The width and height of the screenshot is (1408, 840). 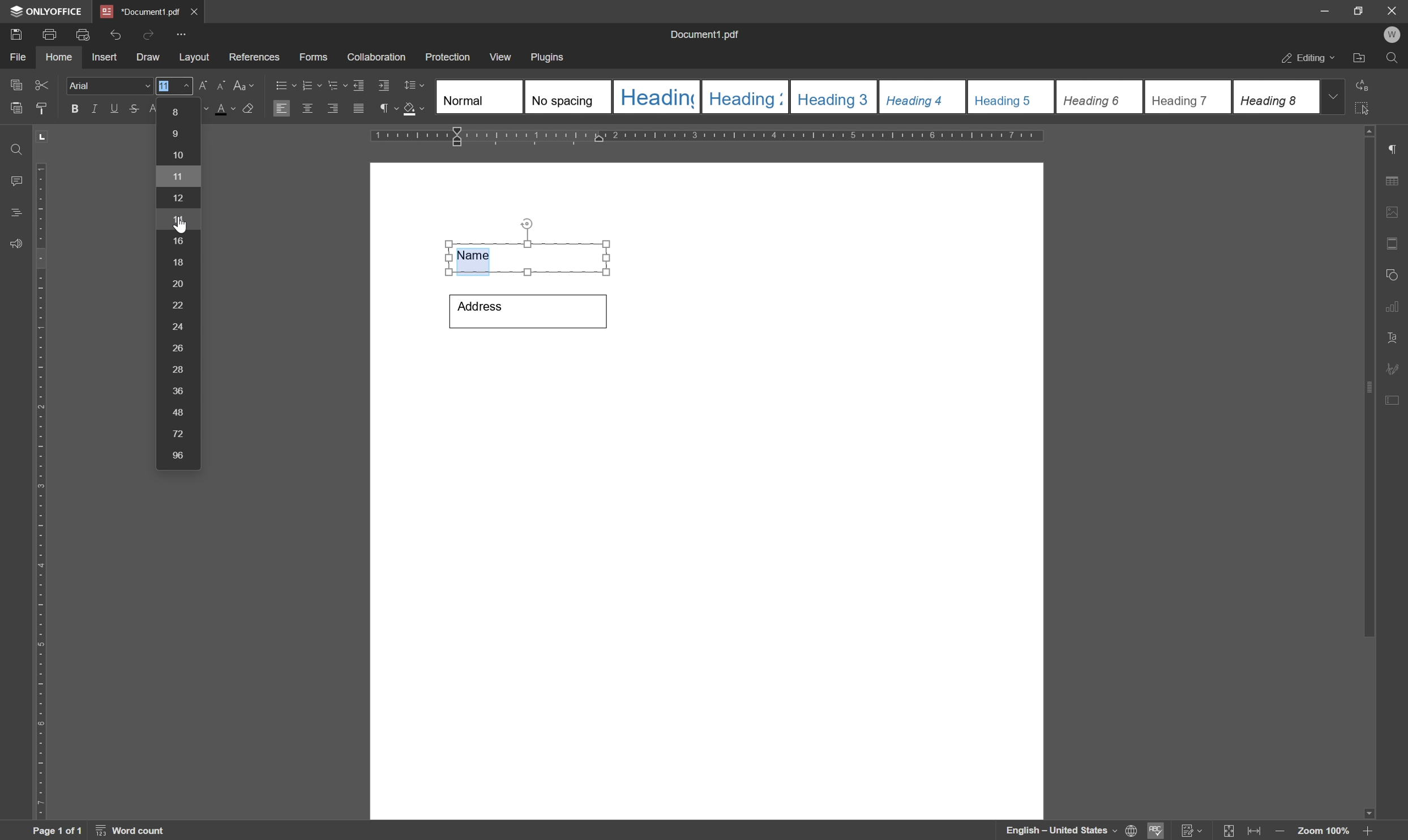 What do you see at coordinates (42, 107) in the screenshot?
I see `copy style` at bounding box center [42, 107].